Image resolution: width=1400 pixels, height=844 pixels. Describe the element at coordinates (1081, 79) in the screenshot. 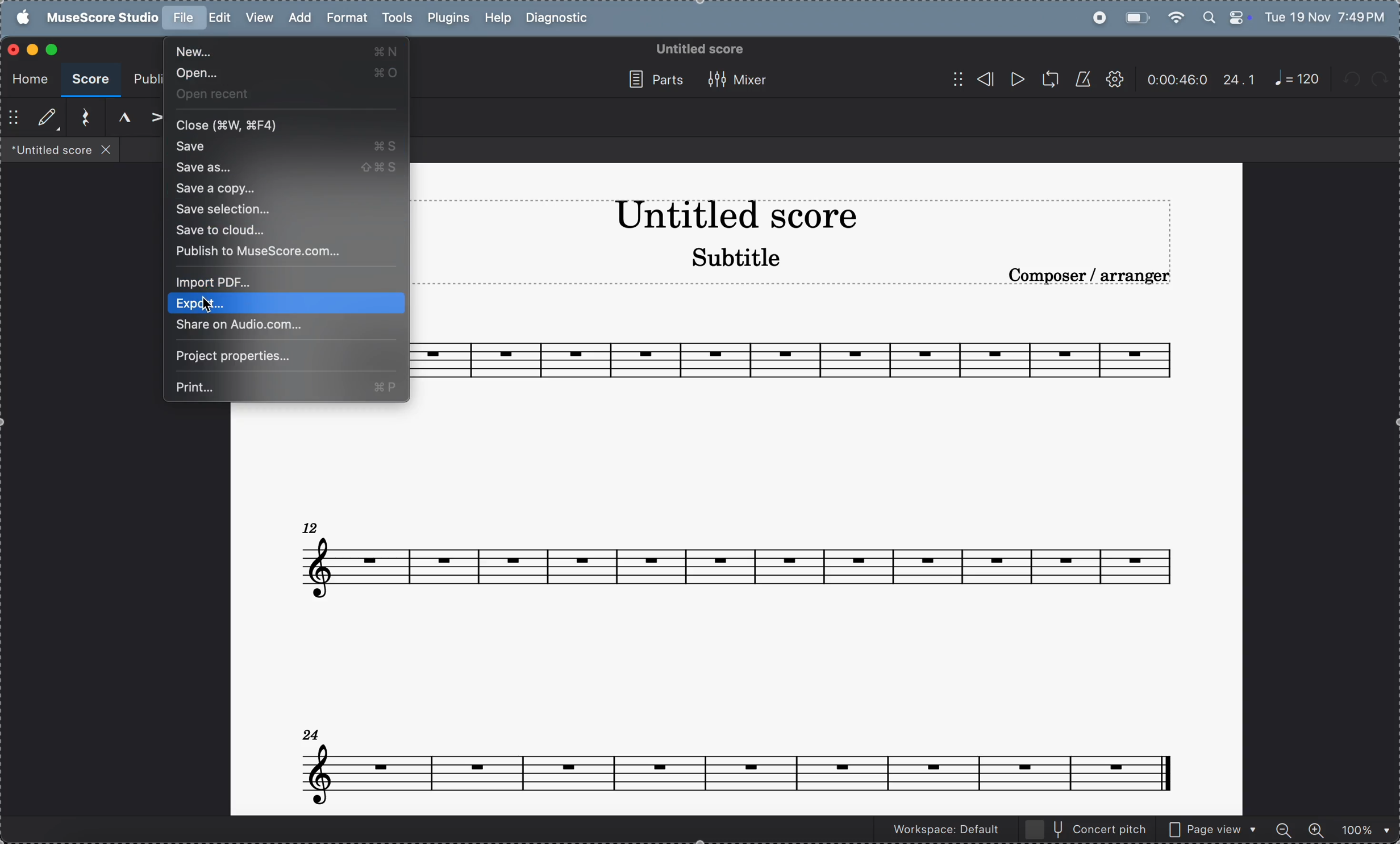

I see `metronnome` at that location.